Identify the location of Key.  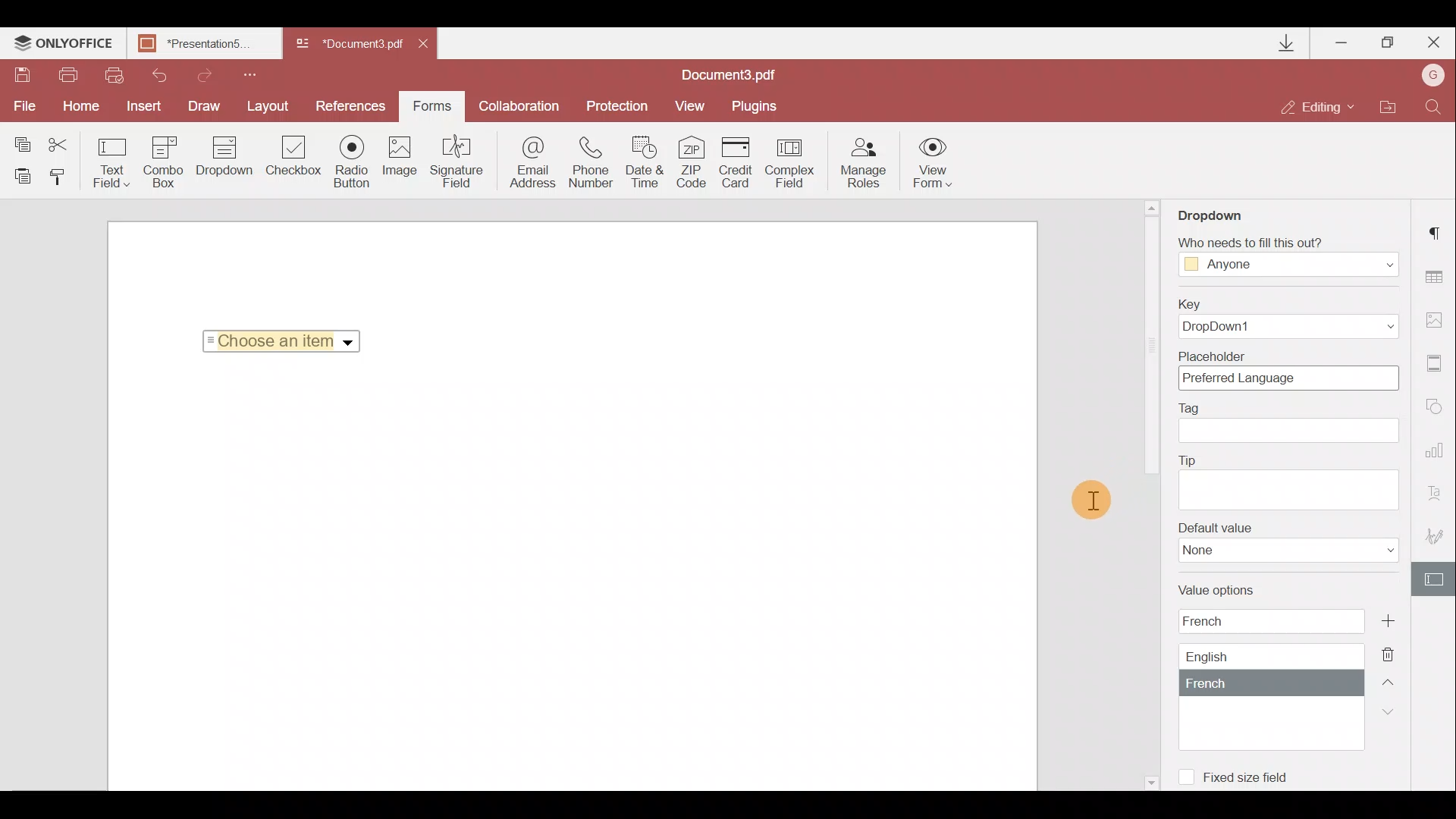
(1282, 318).